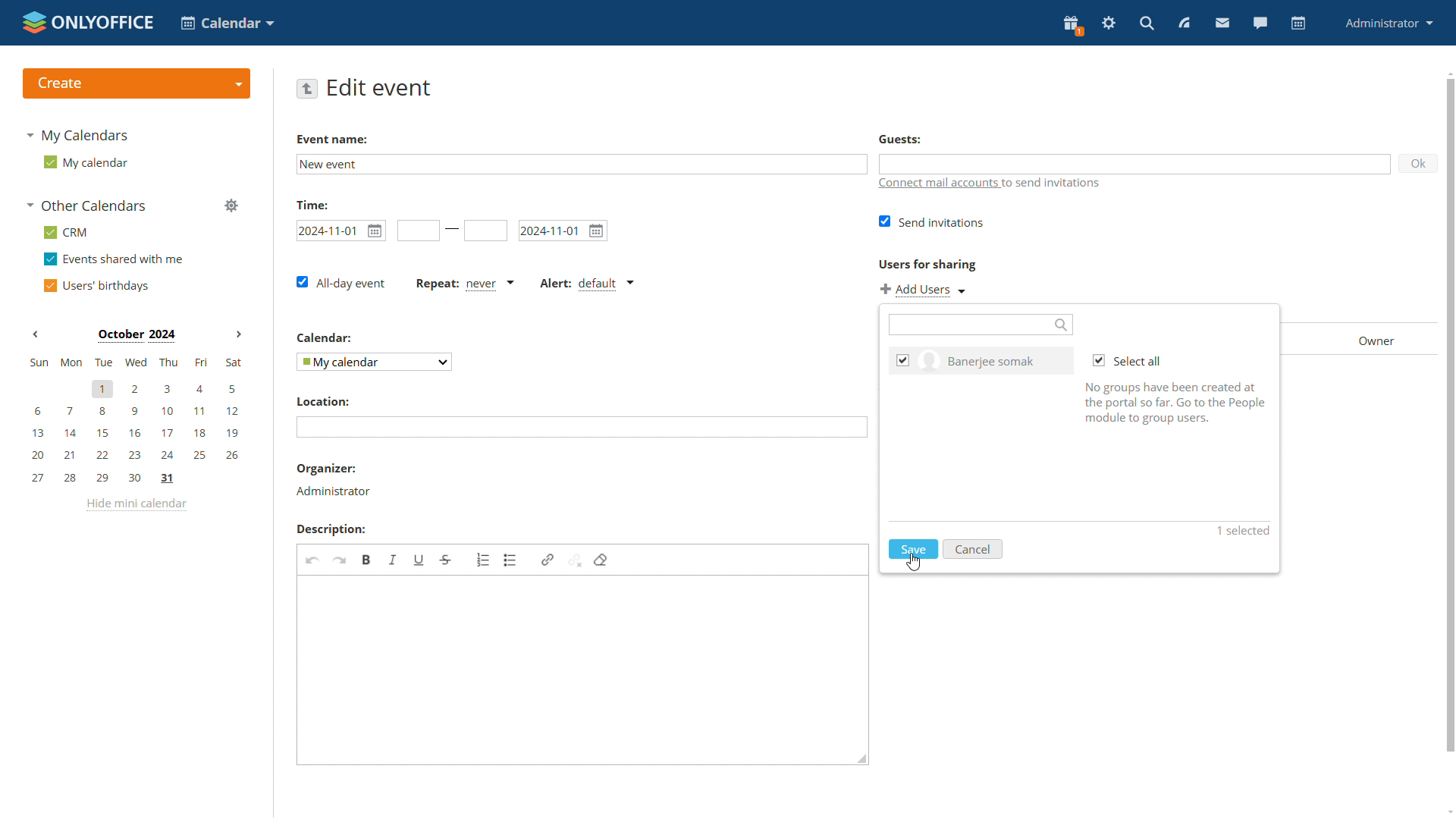 Image resolution: width=1456 pixels, height=819 pixels. What do you see at coordinates (1450, 416) in the screenshot?
I see `scrollbar` at bounding box center [1450, 416].